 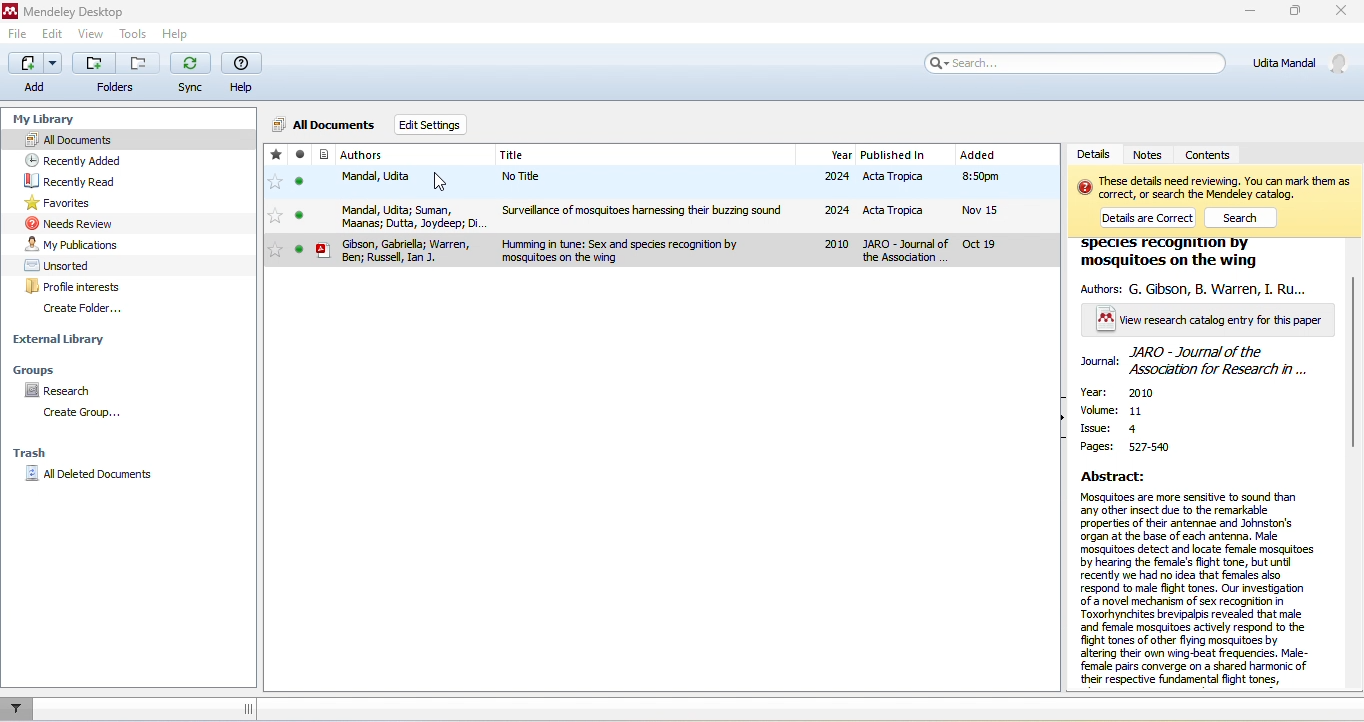 I want to click on added, so click(x=1000, y=217).